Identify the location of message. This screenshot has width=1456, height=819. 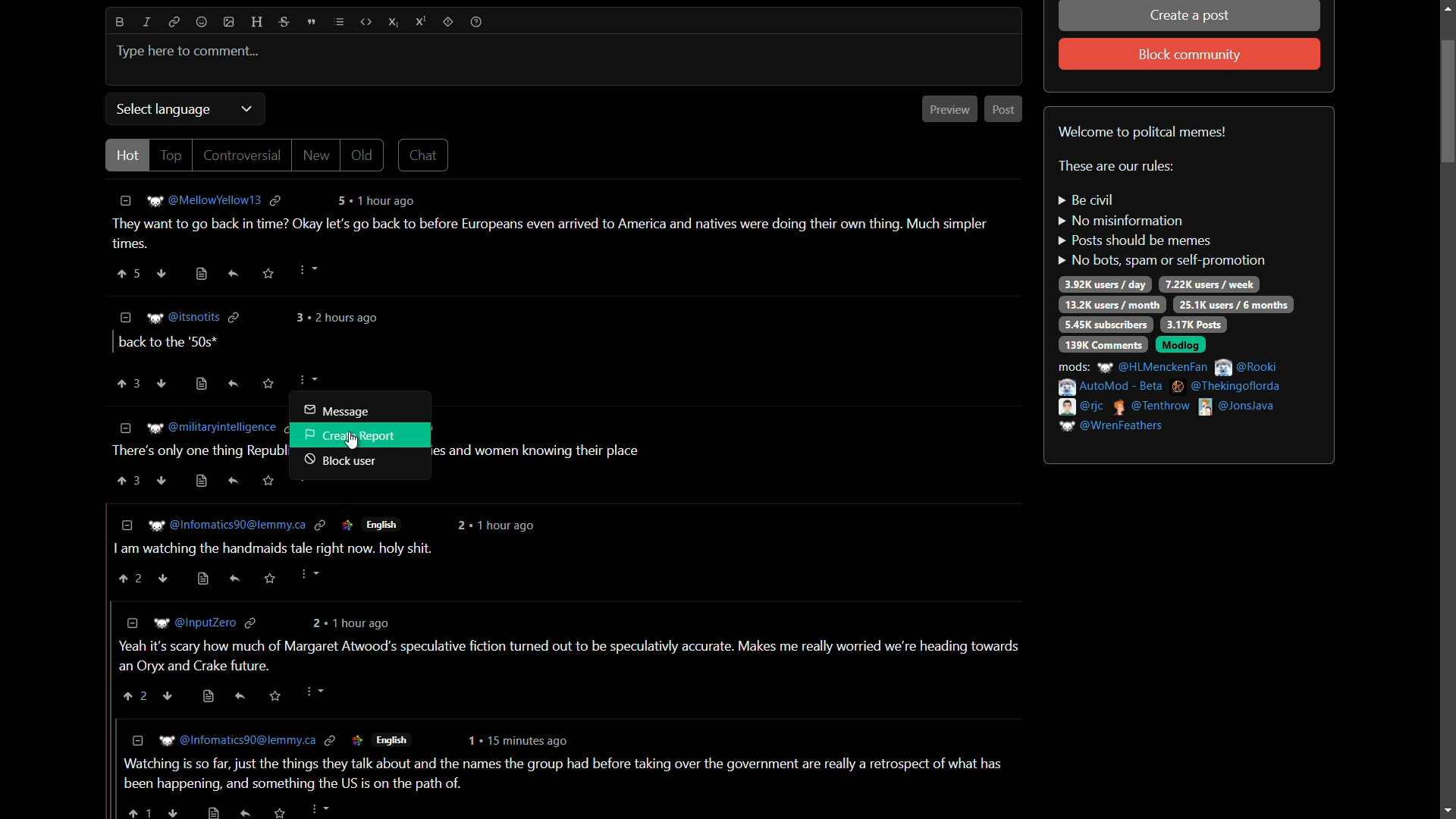
(336, 410).